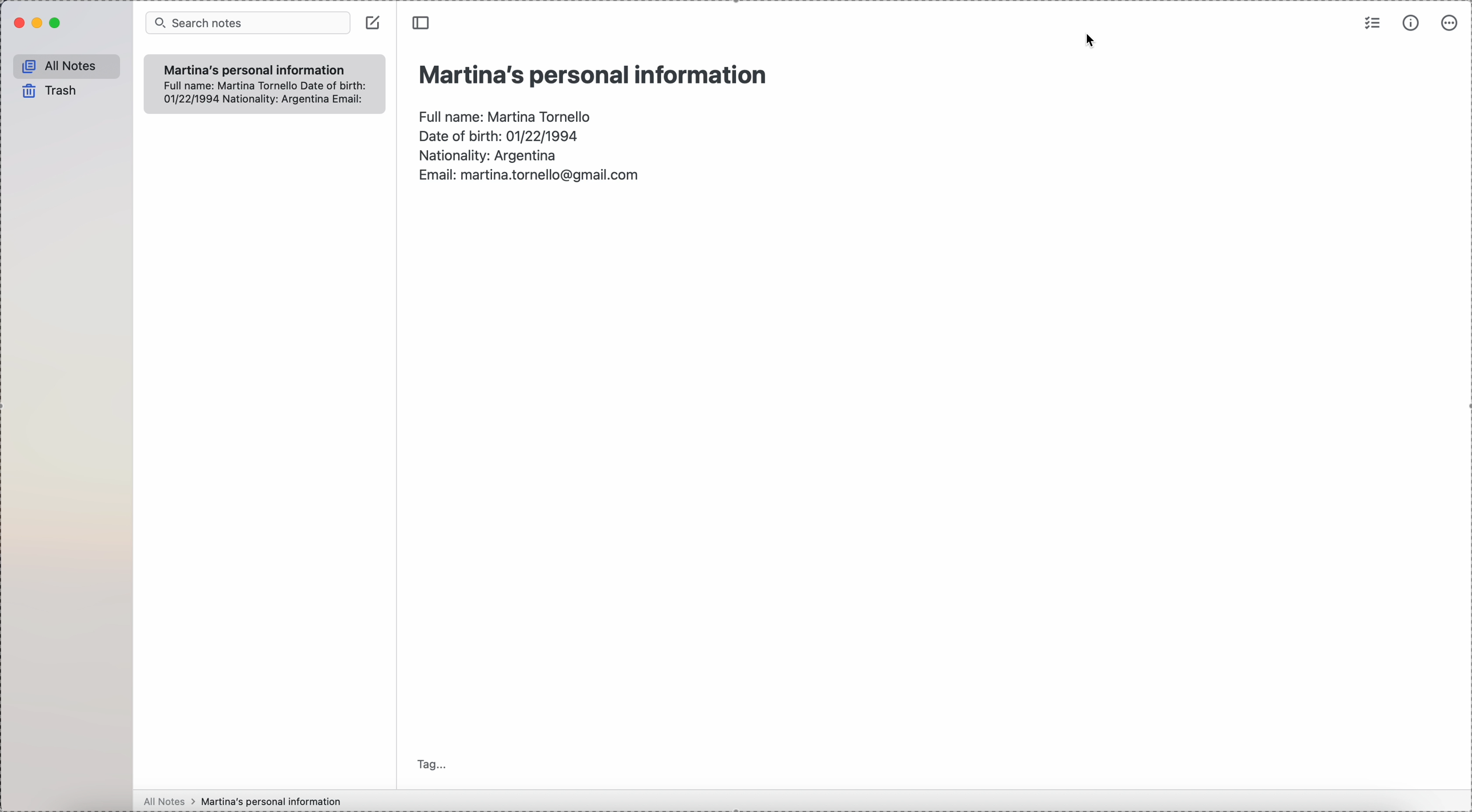 The image size is (1472, 812). I want to click on close Simplenote, so click(18, 24).